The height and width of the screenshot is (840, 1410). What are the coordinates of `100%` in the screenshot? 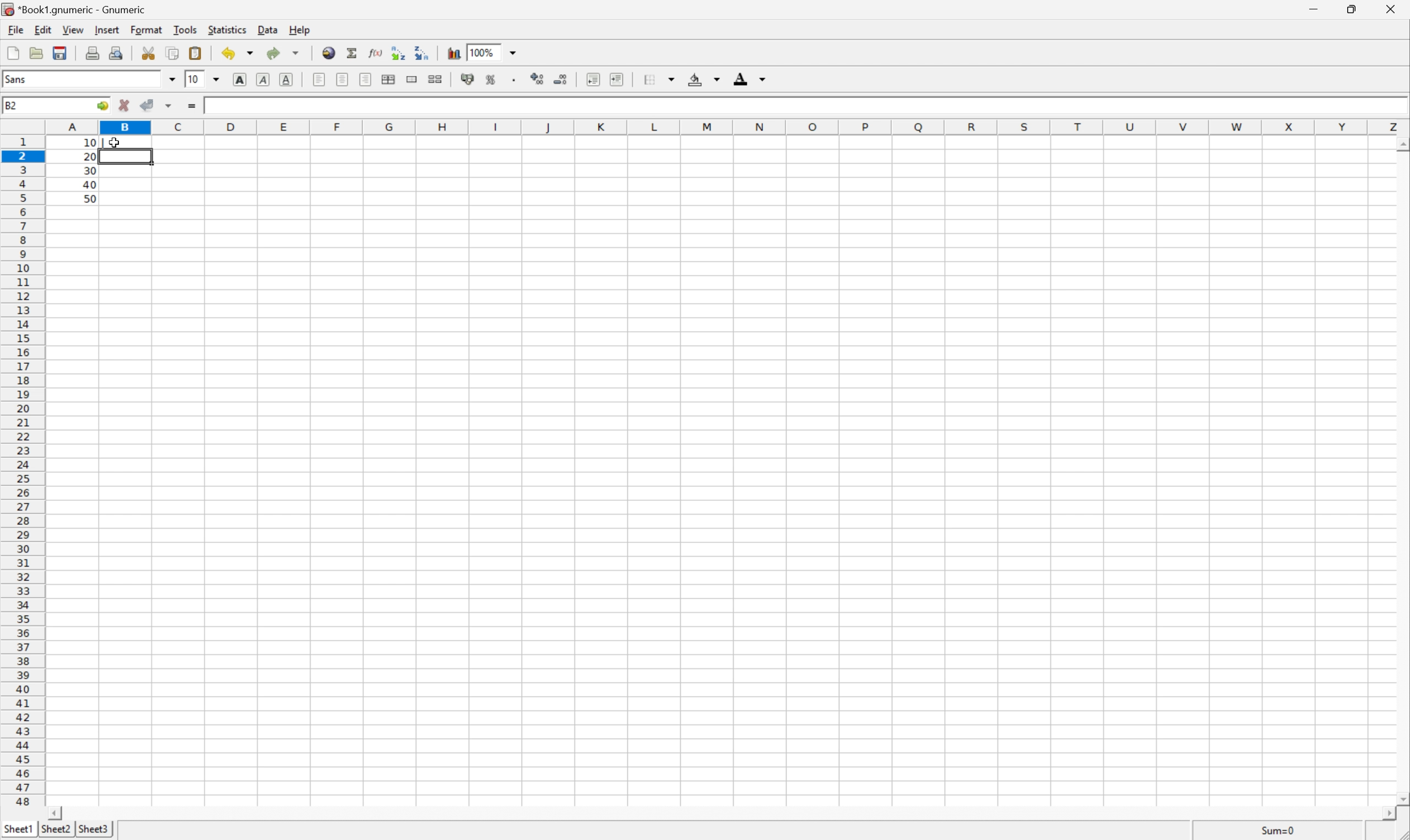 It's located at (483, 52).